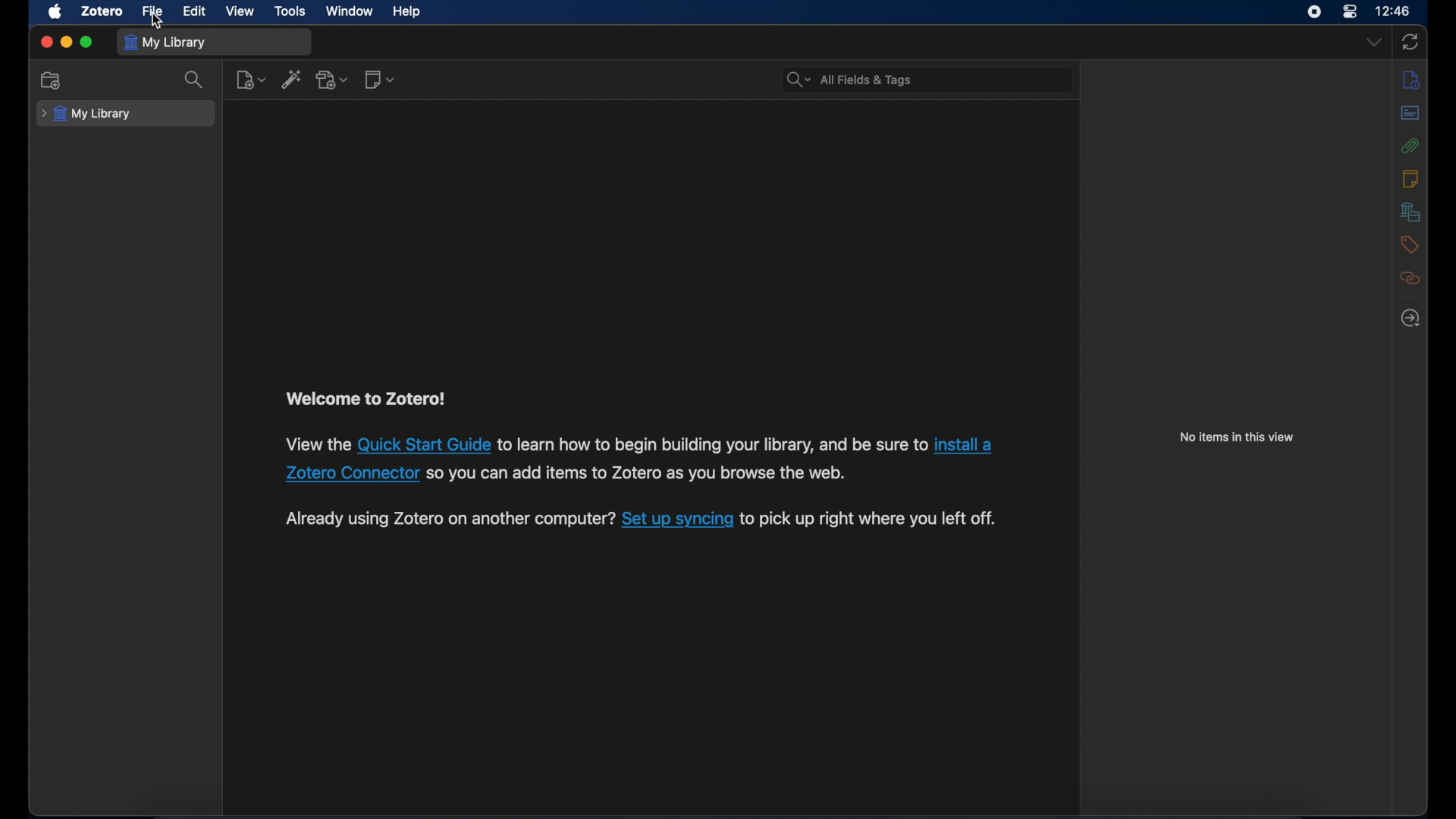 Image resolution: width=1456 pixels, height=819 pixels. Describe the element at coordinates (381, 80) in the screenshot. I see `new note` at that location.